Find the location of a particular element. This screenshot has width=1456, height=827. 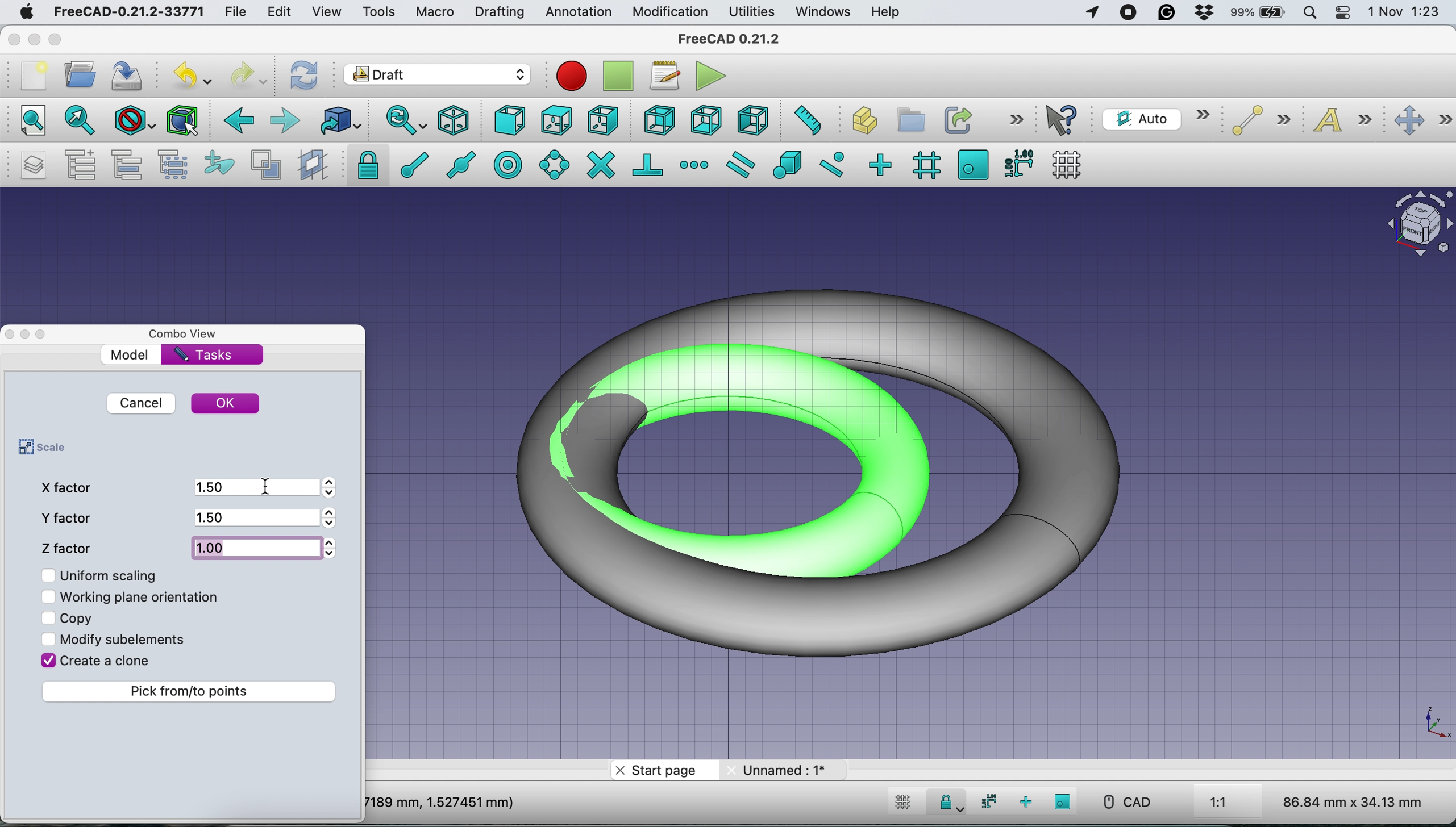

macros is located at coordinates (664, 79).